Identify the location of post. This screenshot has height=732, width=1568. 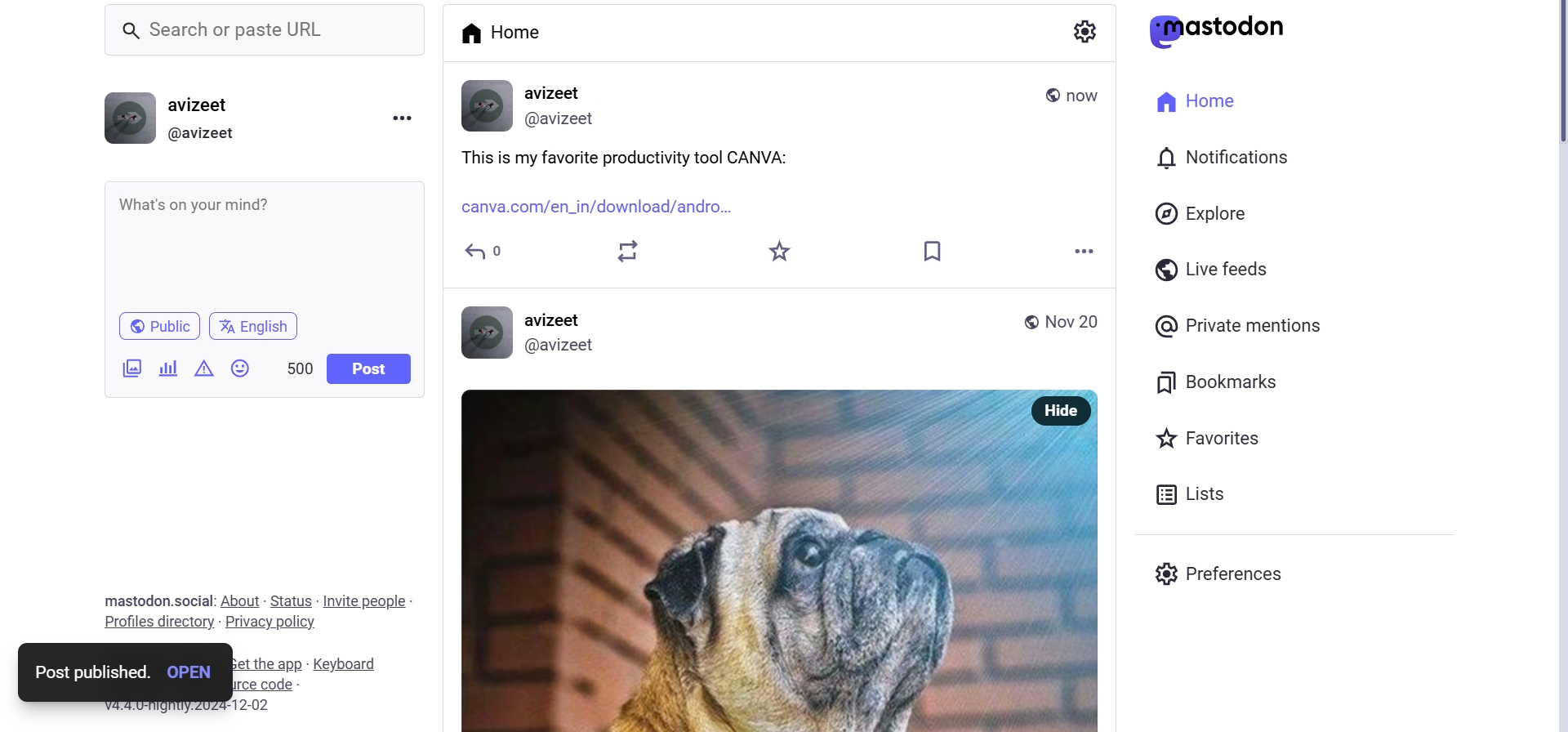
(368, 368).